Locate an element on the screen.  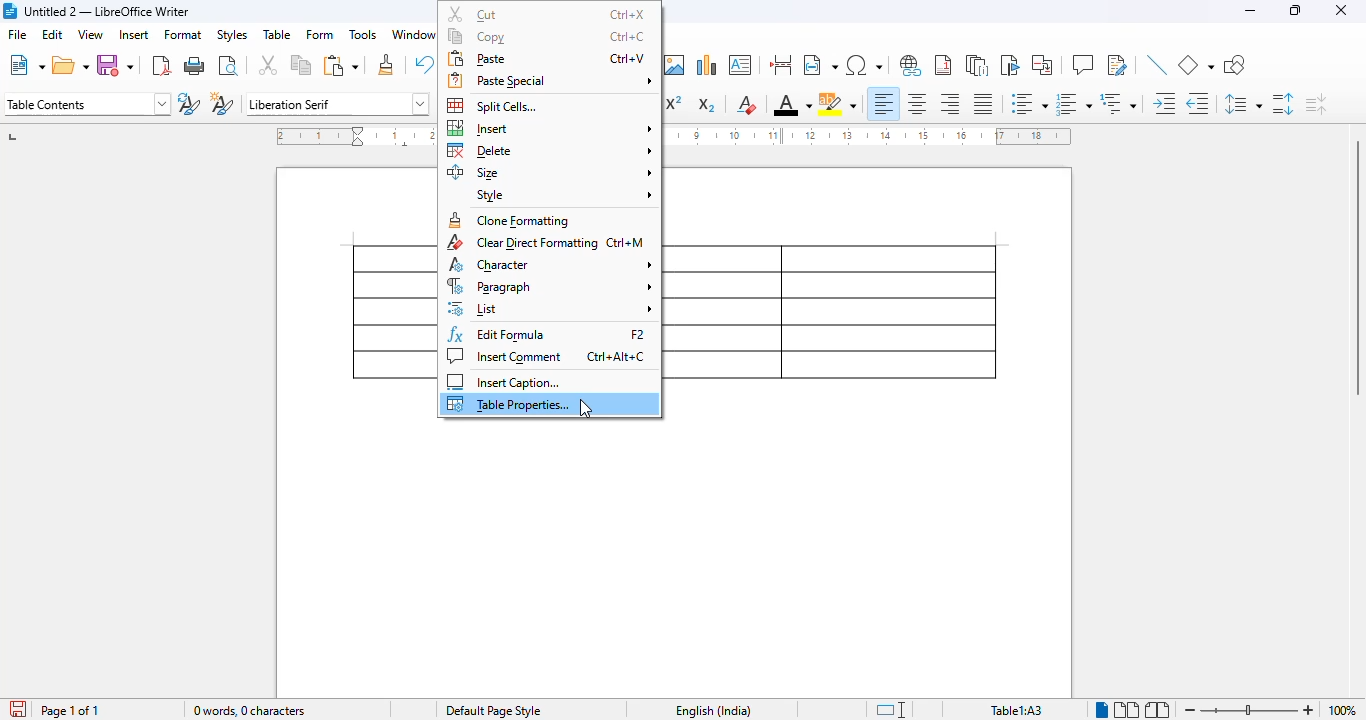
view is located at coordinates (90, 35).